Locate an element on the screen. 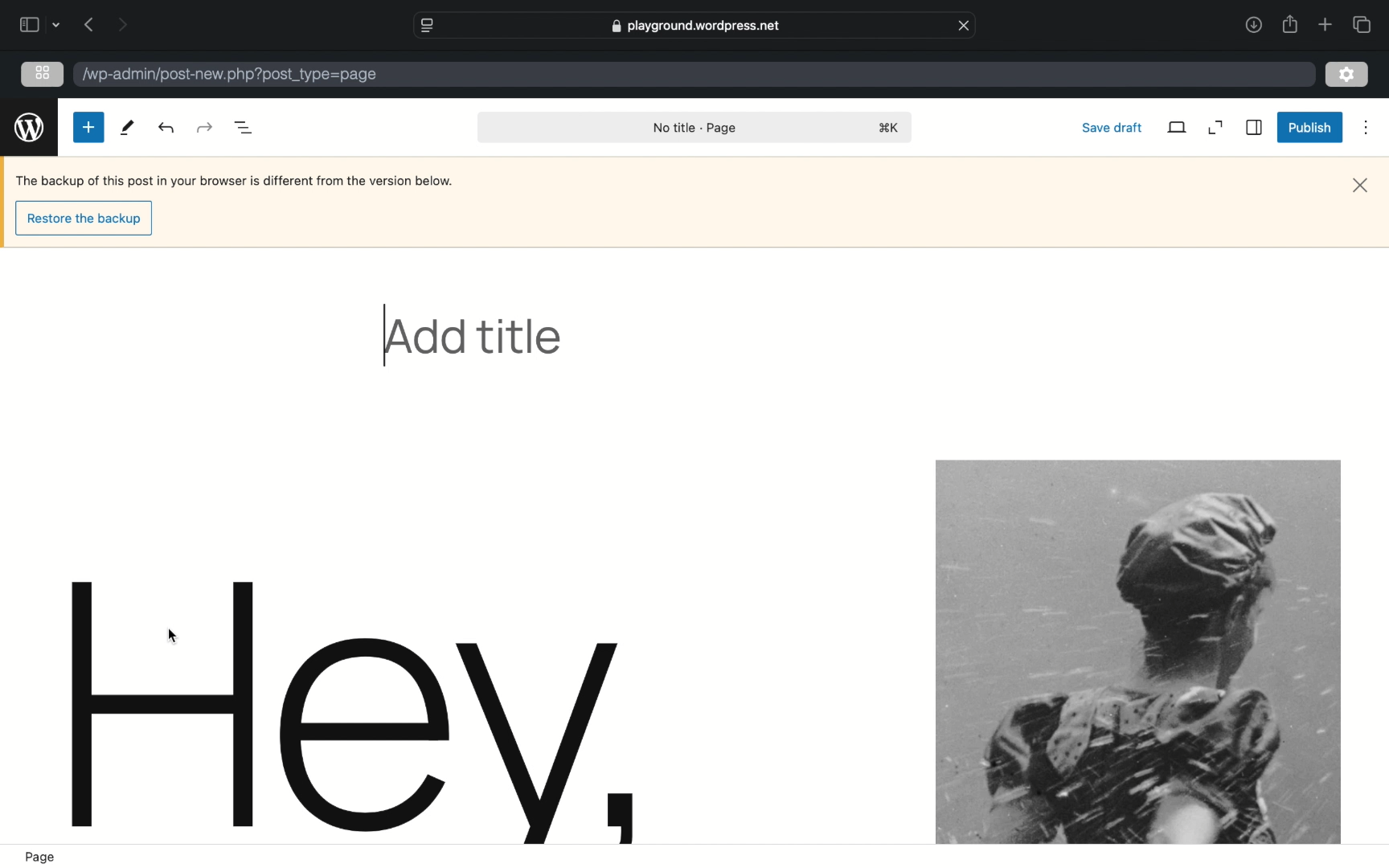 This screenshot has width=1389, height=868. previous page is located at coordinates (89, 26).